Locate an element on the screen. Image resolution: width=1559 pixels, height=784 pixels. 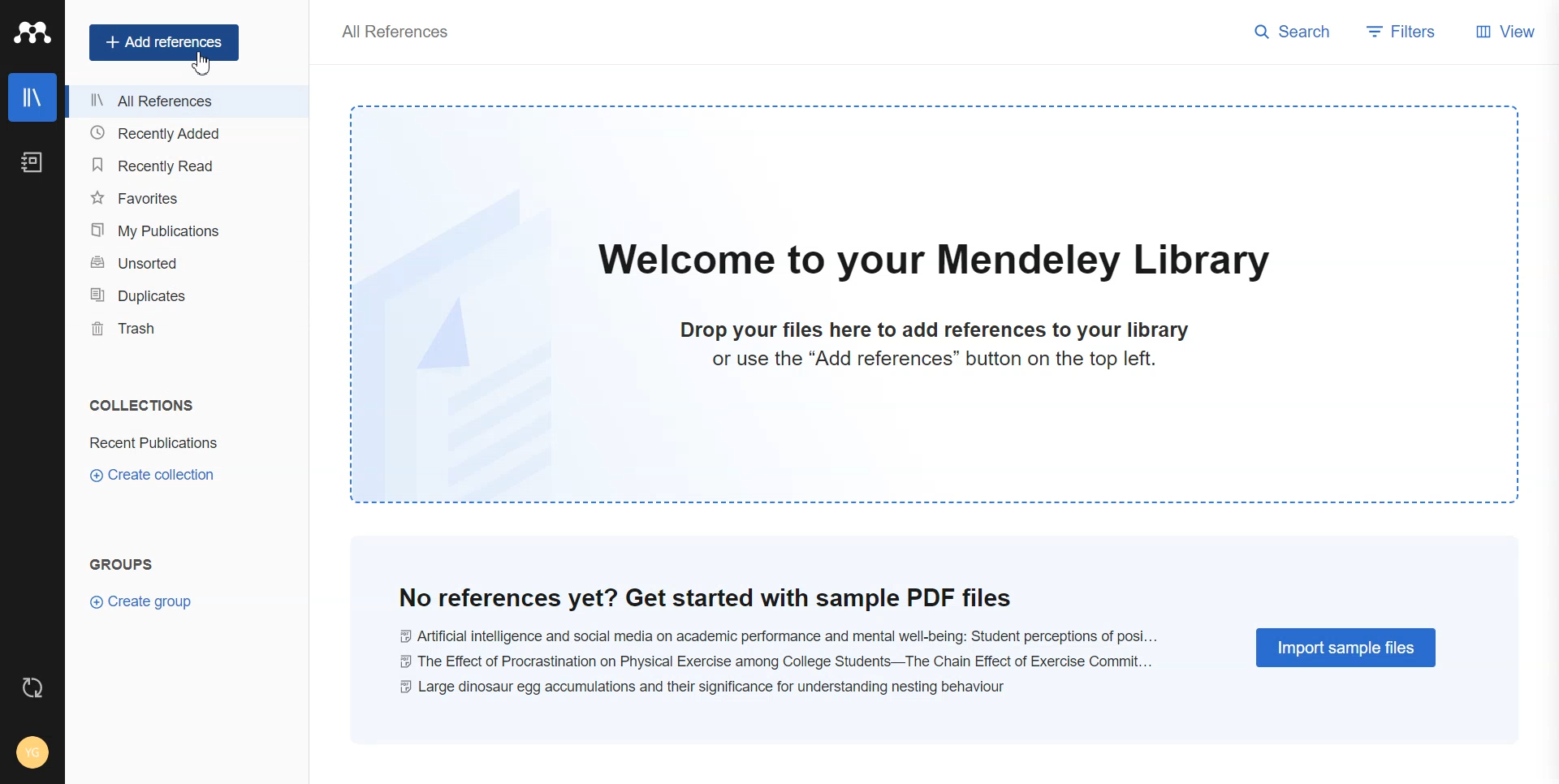
Create Collection is located at coordinates (149, 475).